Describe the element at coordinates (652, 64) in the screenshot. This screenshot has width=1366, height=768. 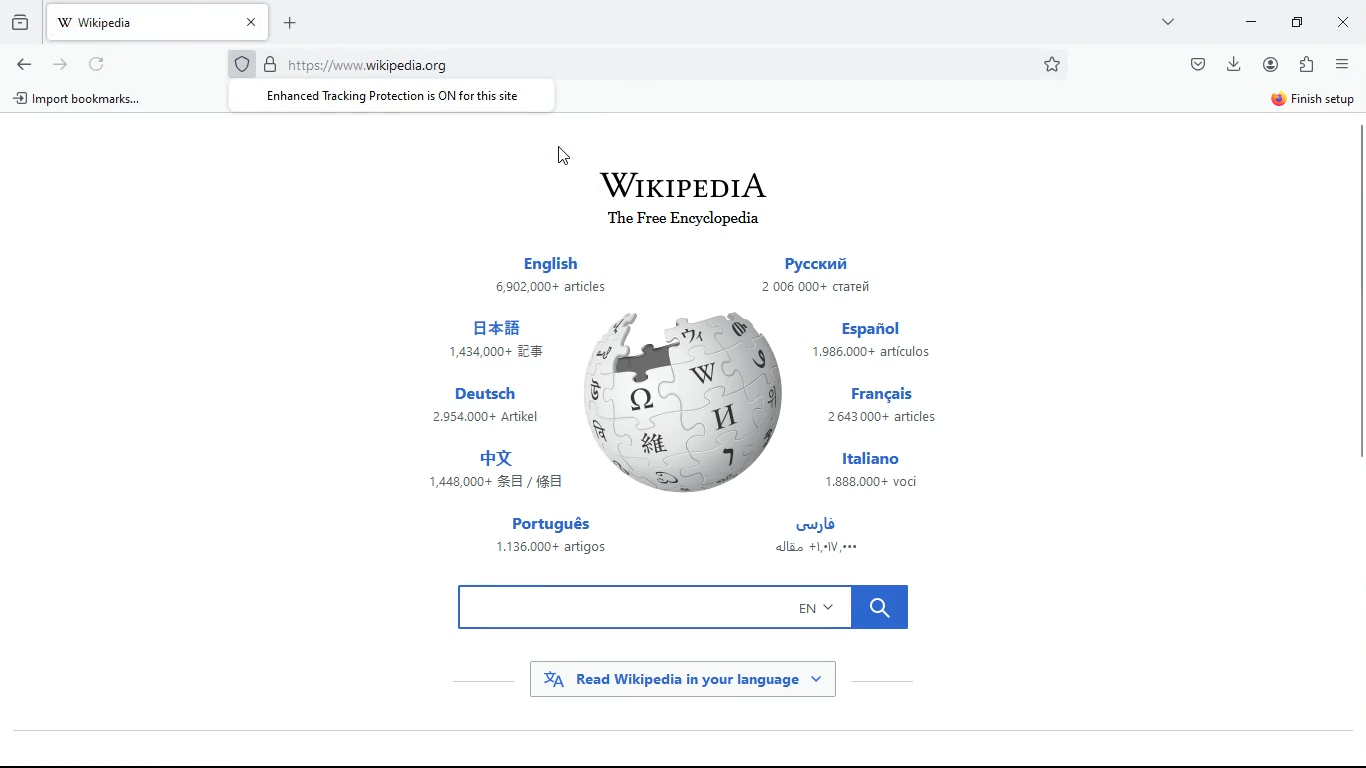
I see `Search bar` at that location.